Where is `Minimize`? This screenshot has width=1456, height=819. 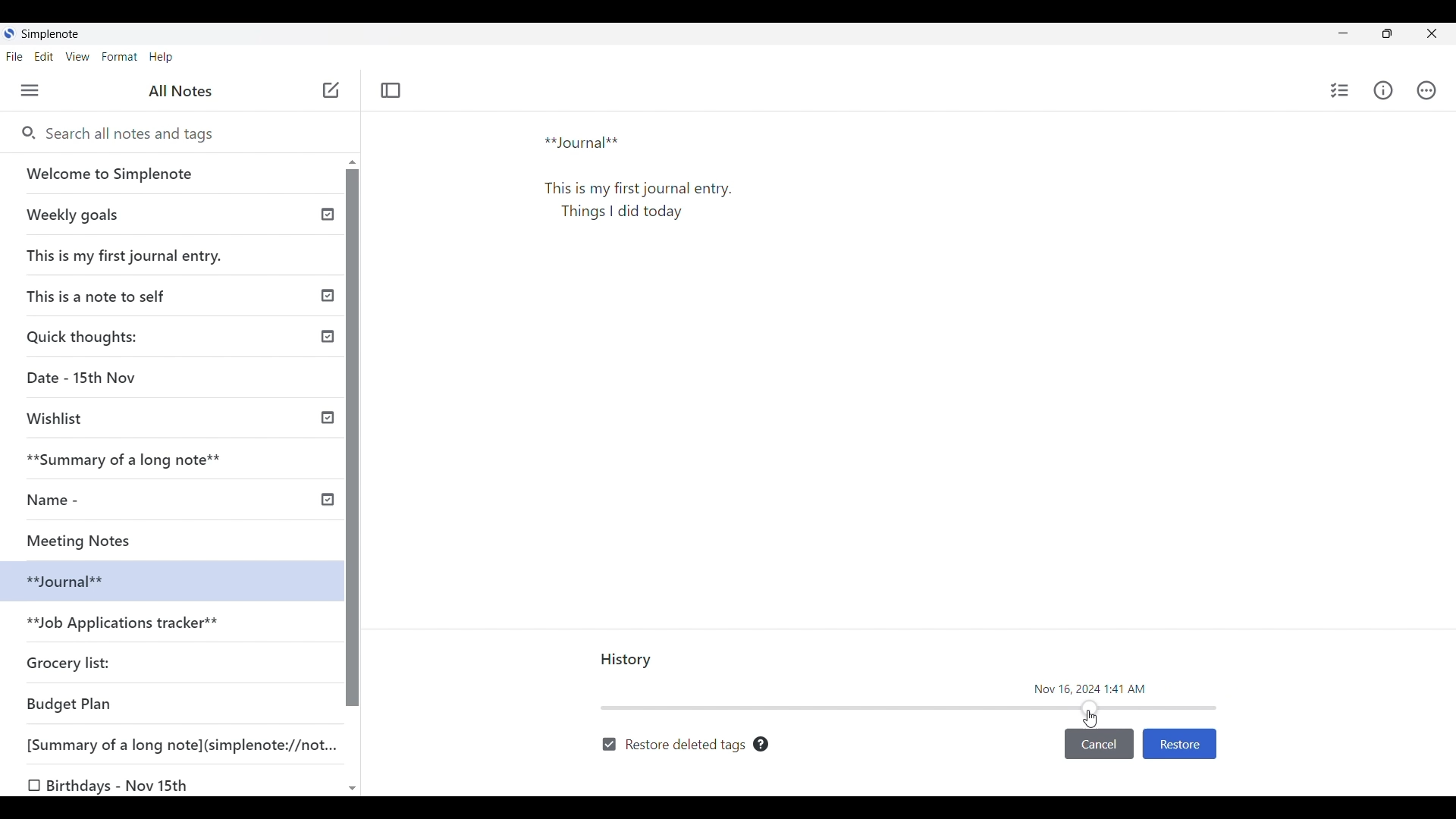
Minimize is located at coordinates (1343, 33).